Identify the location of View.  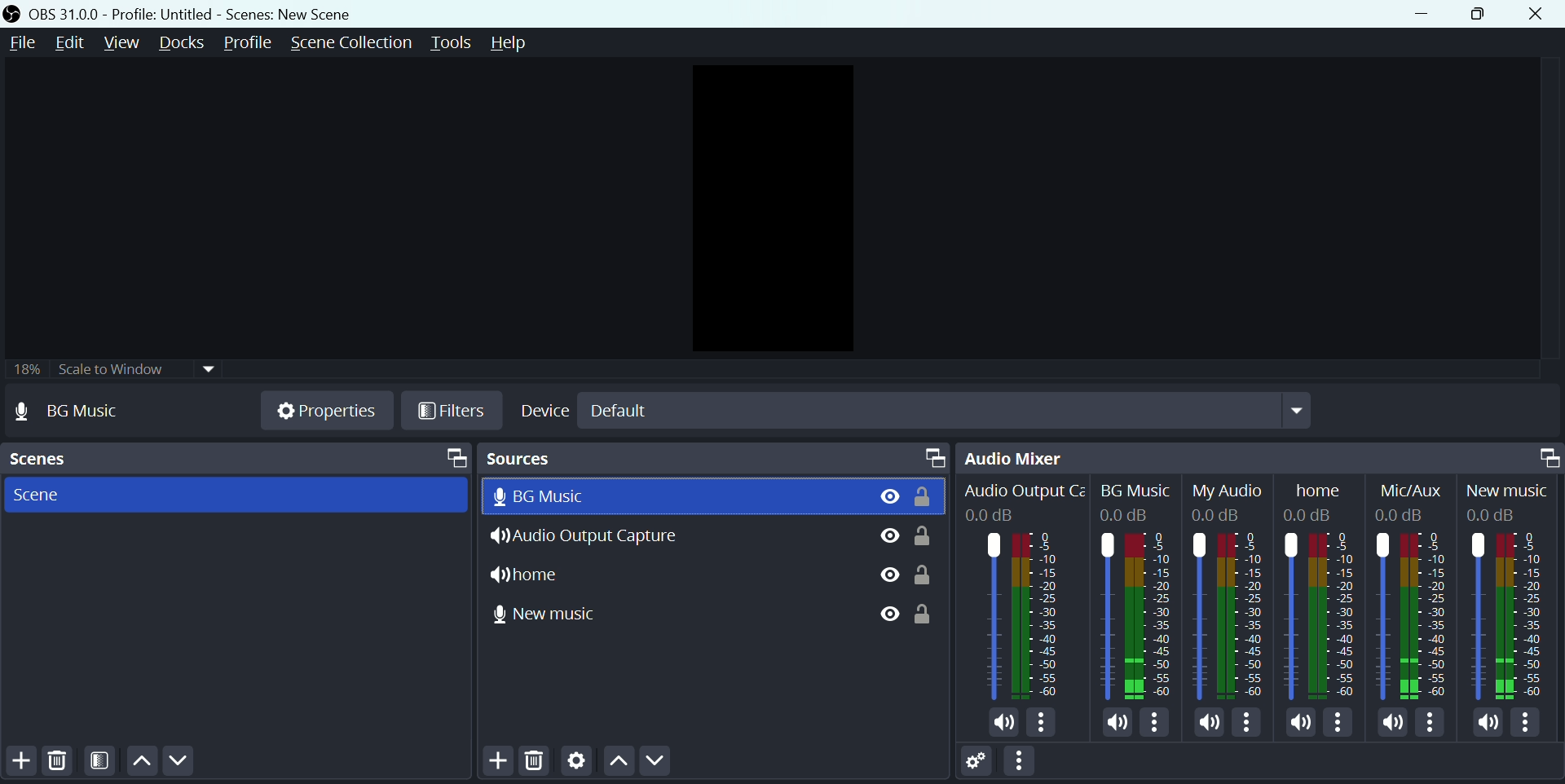
(125, 40).